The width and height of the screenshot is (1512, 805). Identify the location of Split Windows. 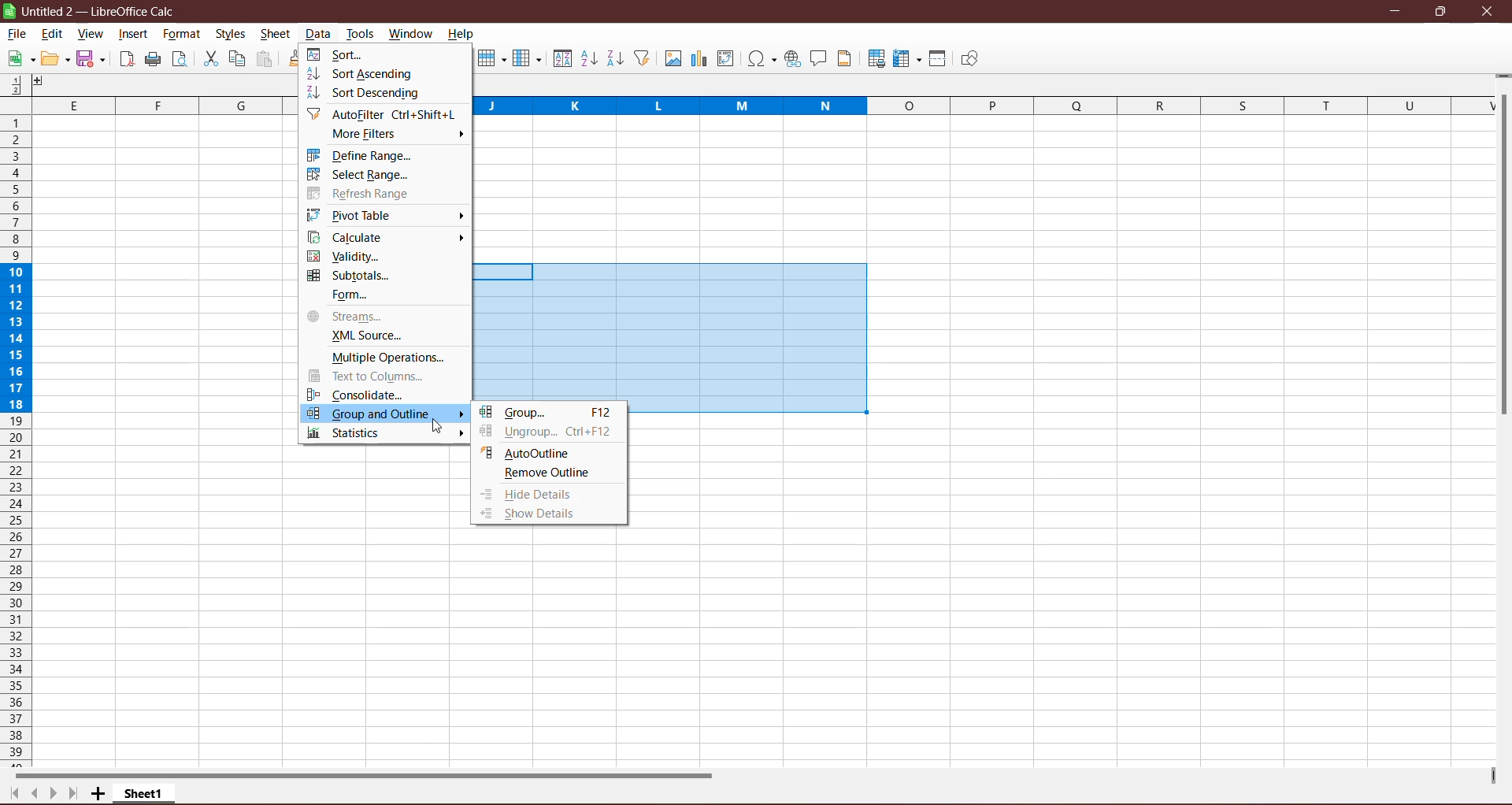
(938, 58).